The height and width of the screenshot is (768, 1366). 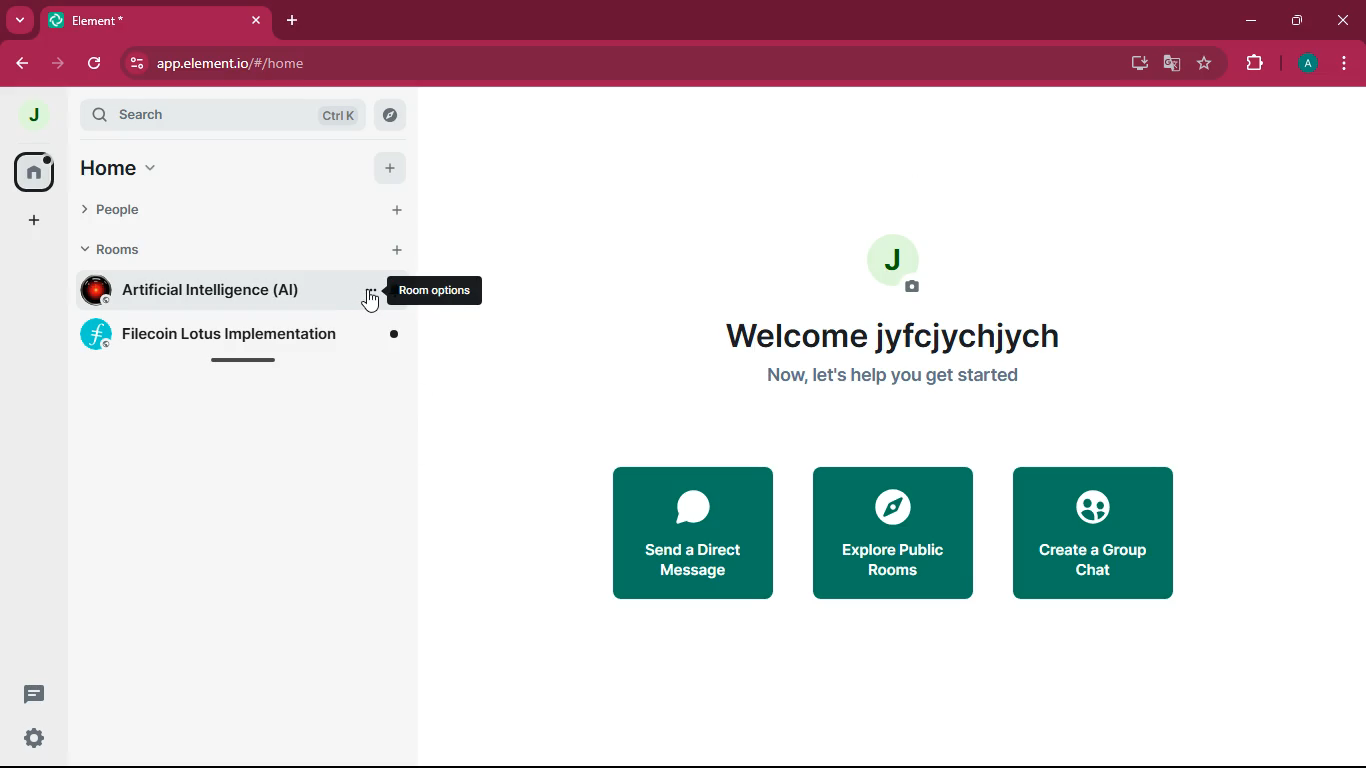 I want to click on add, so click(x=392, y=170).